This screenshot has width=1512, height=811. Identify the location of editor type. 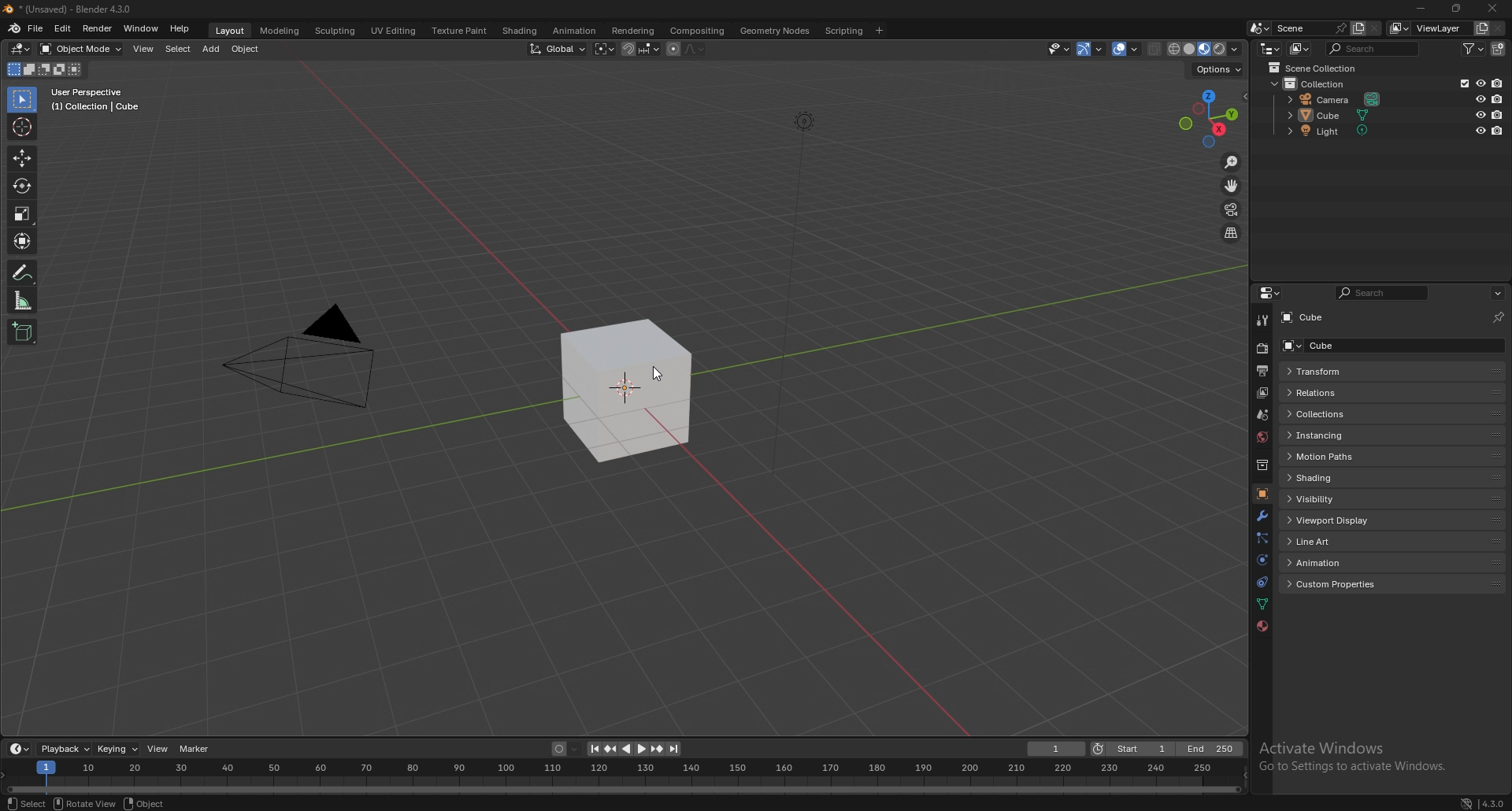
(1269, 49).